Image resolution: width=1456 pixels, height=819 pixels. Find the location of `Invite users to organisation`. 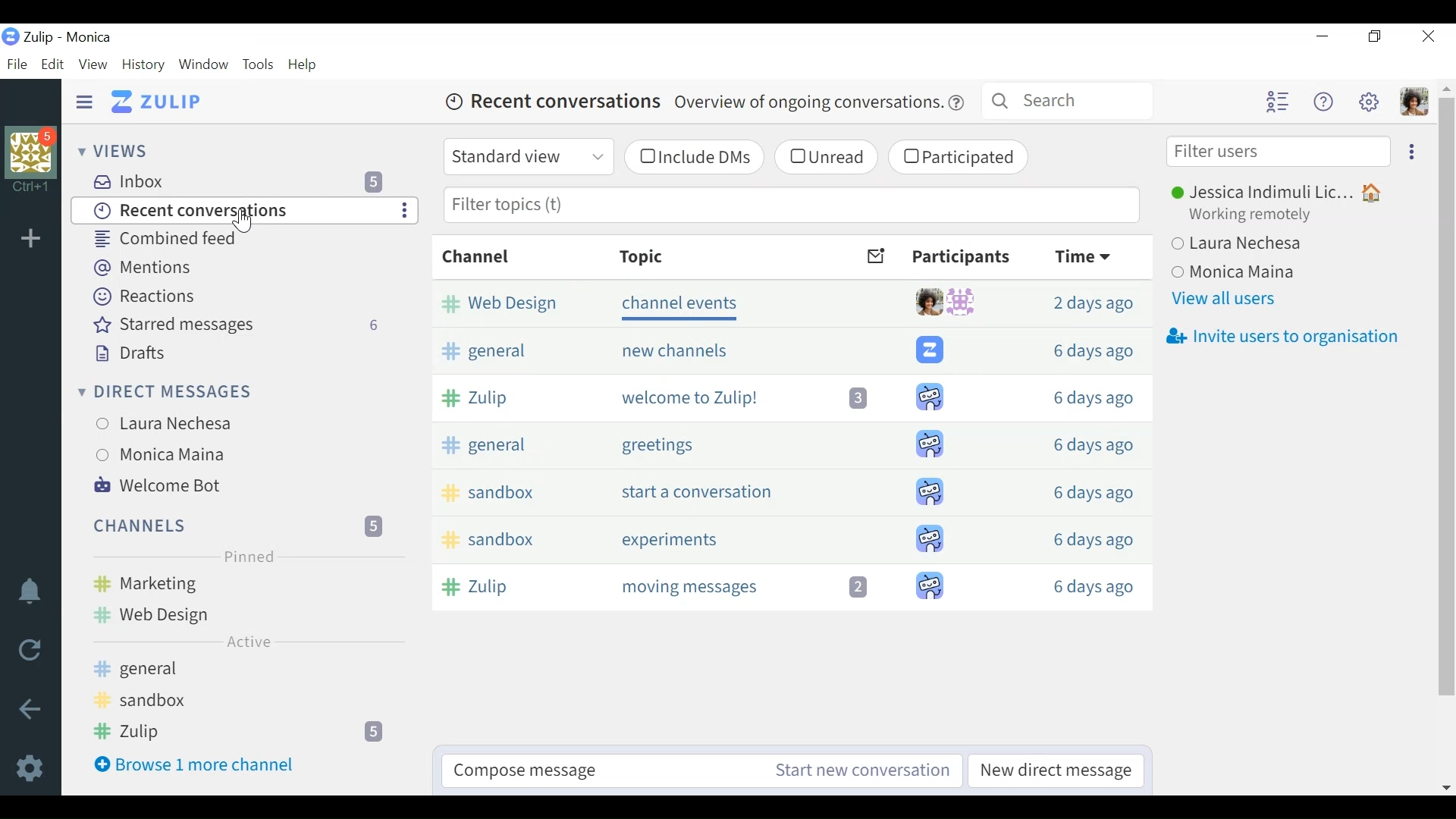

Invite users to organisation is located at coordinates (1282, 337).